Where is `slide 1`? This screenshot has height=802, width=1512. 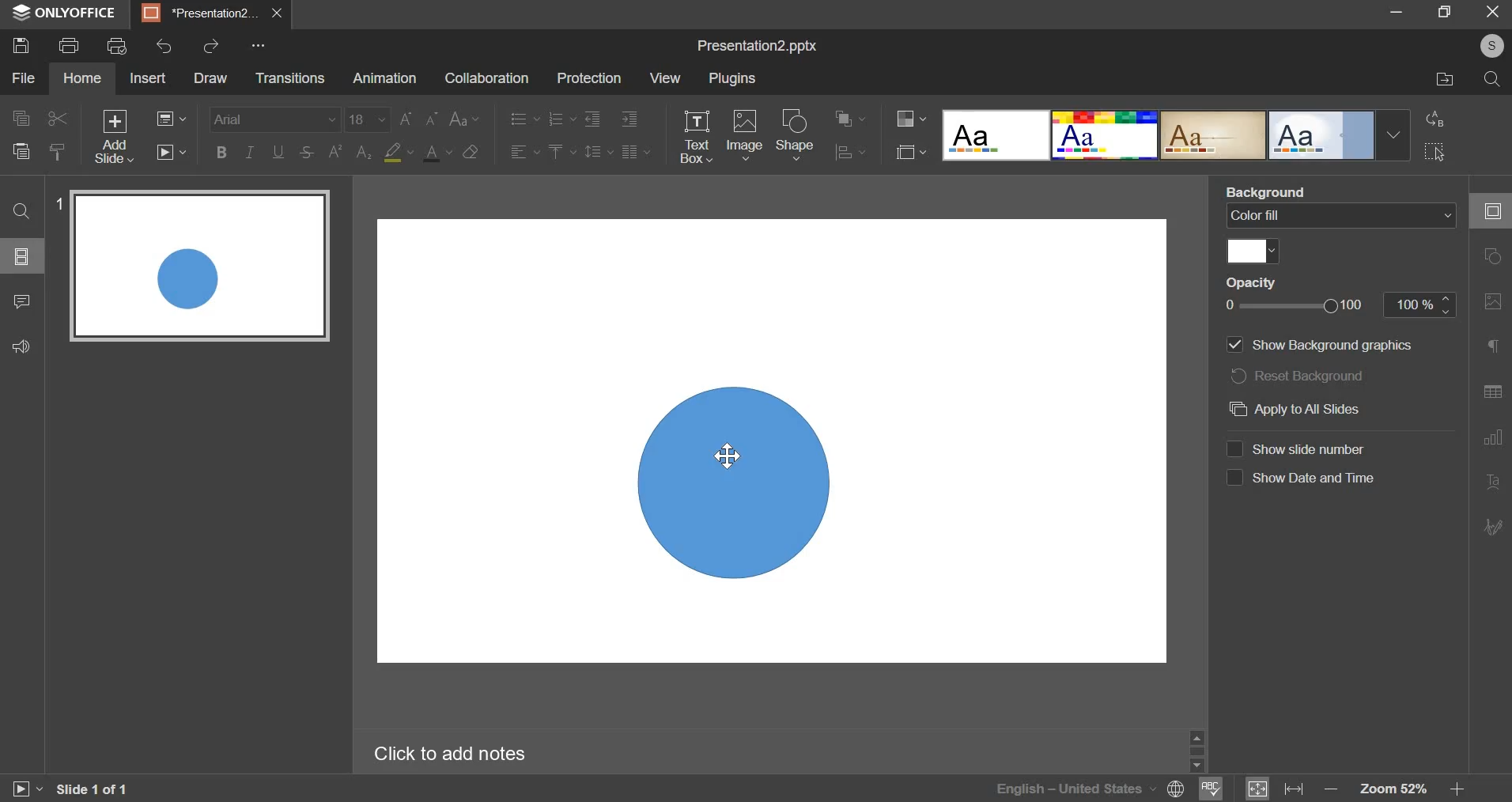
slide 1 is located at coordinates (207, 271).